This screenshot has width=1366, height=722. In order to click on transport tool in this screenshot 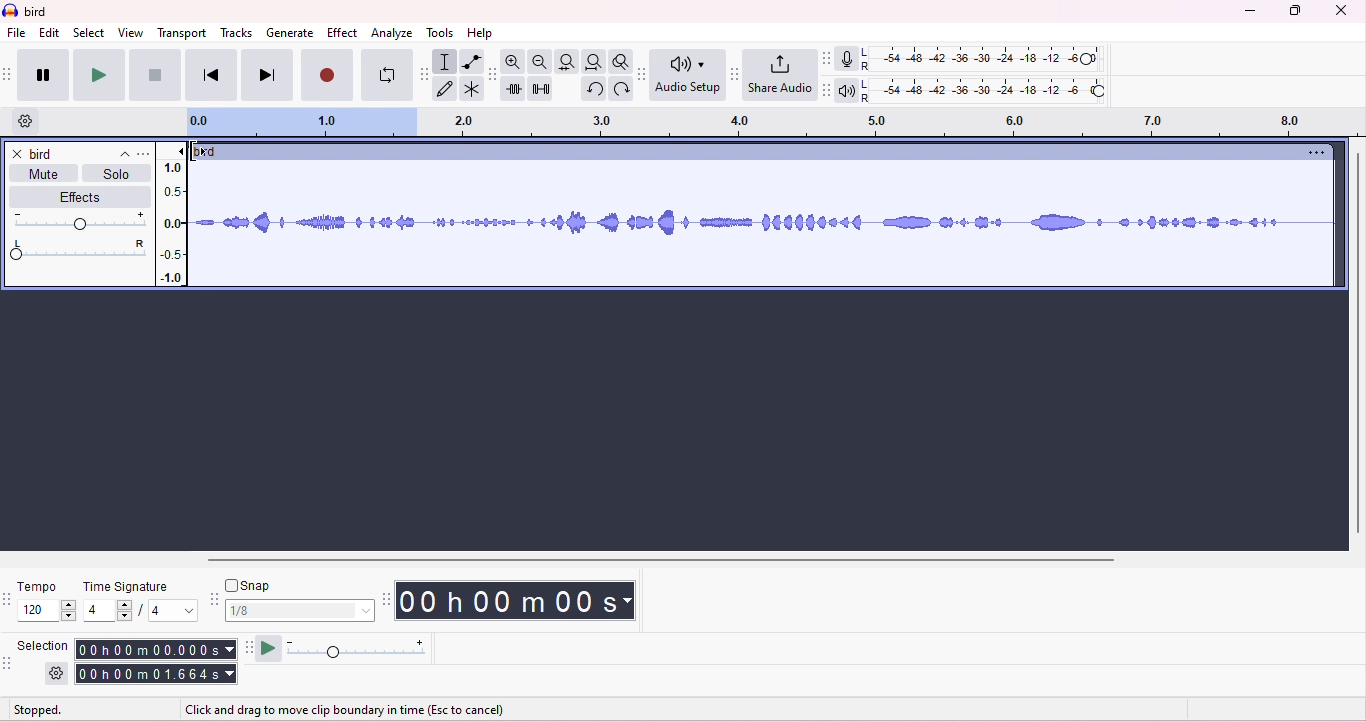, I will do `click(9, 75)`.